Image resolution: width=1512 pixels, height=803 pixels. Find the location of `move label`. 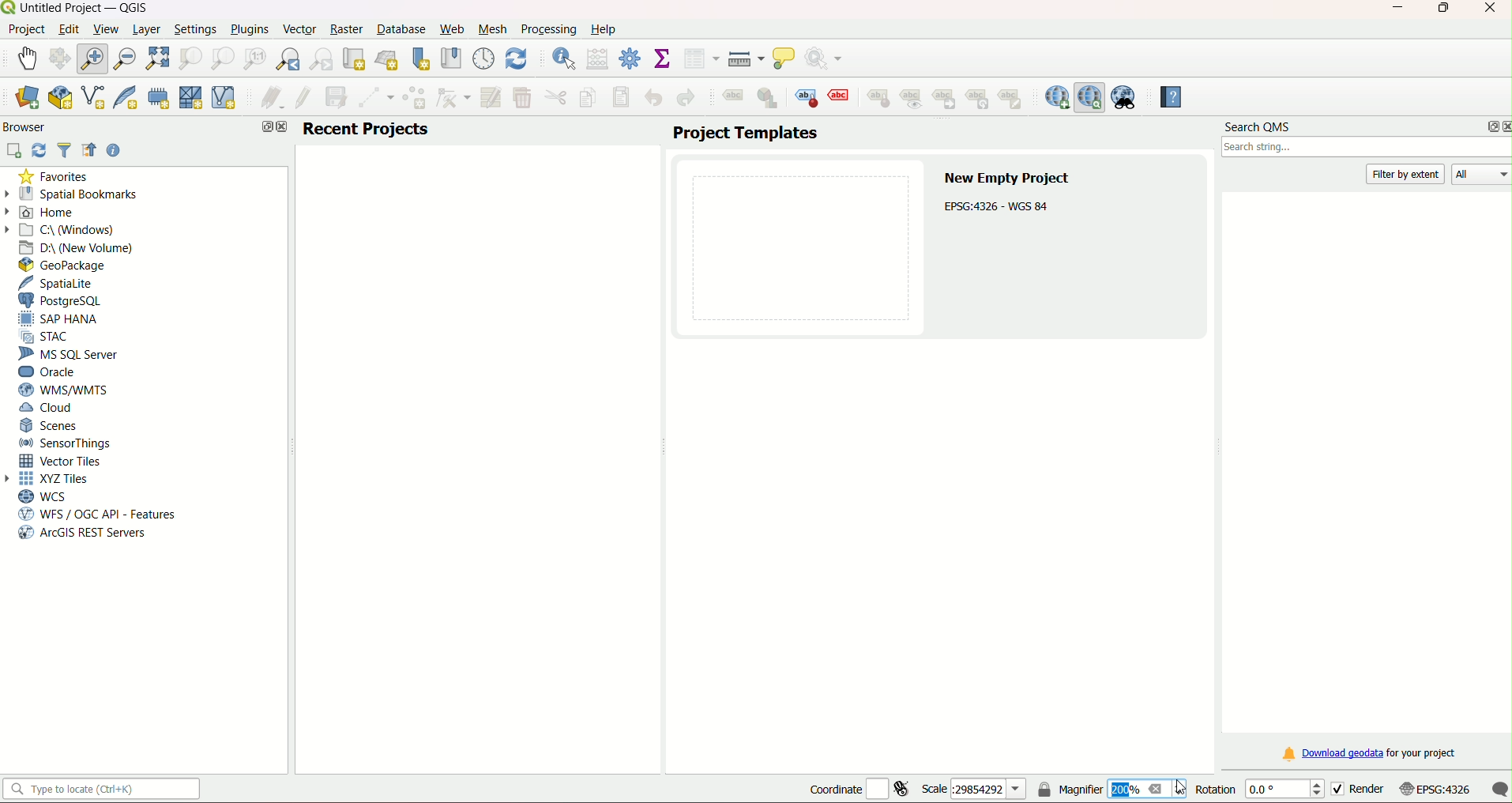

move label is located at coordinates (947, 100).